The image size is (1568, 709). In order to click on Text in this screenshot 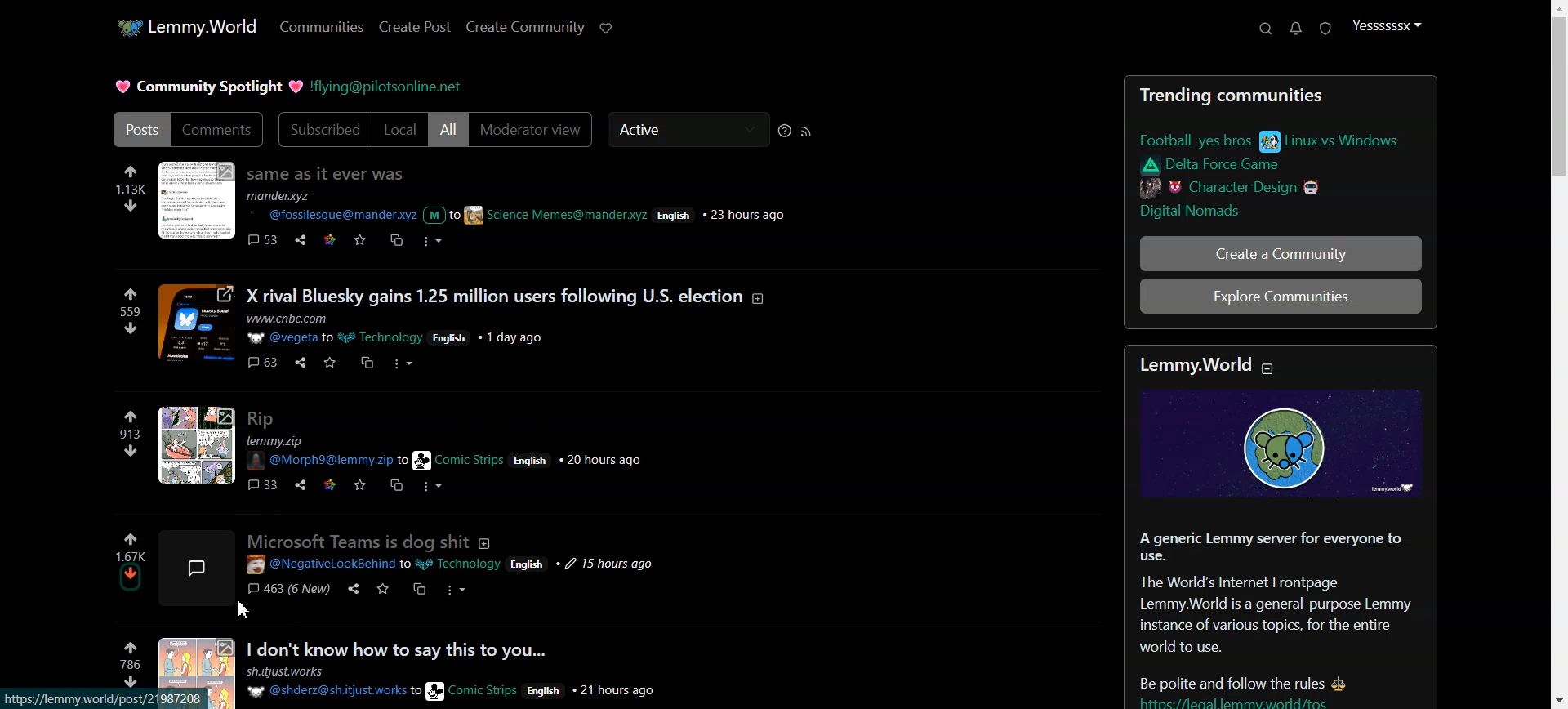, I will do `click(1279, 529)`.